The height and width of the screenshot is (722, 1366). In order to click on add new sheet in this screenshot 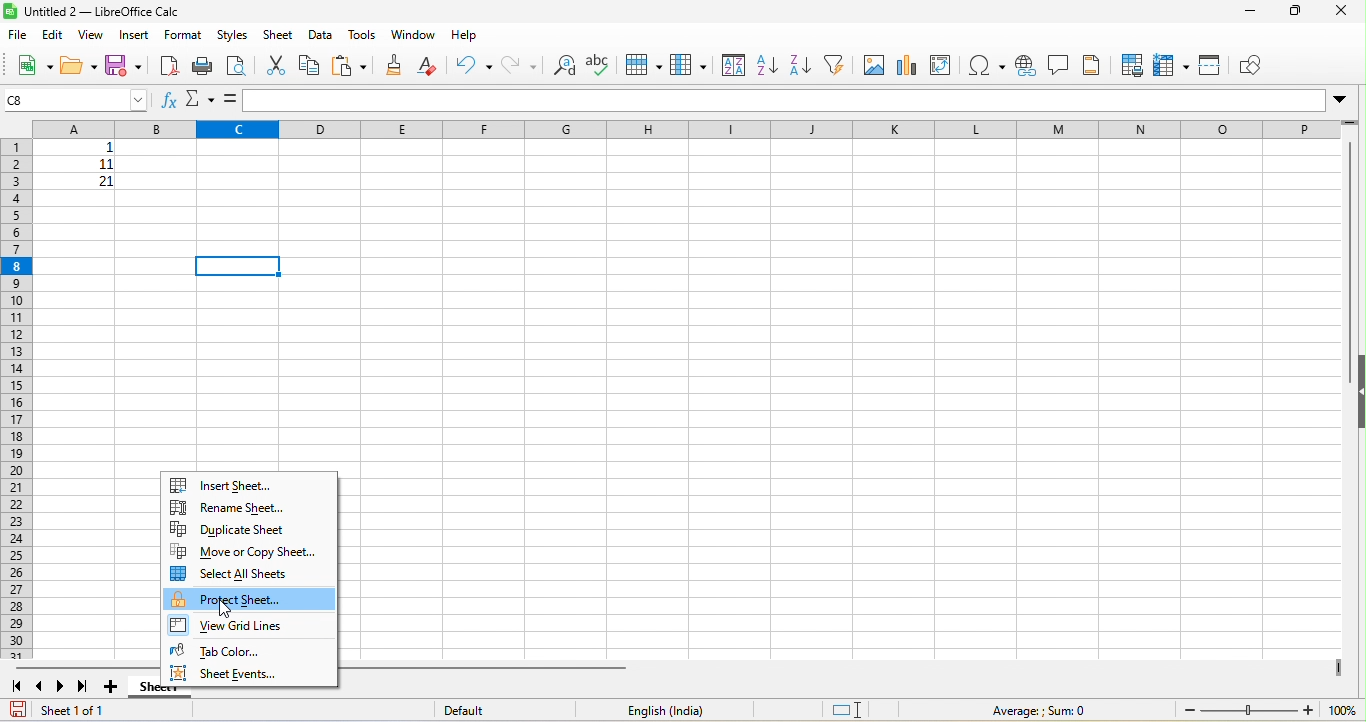, I will do `click(112, 687)`.